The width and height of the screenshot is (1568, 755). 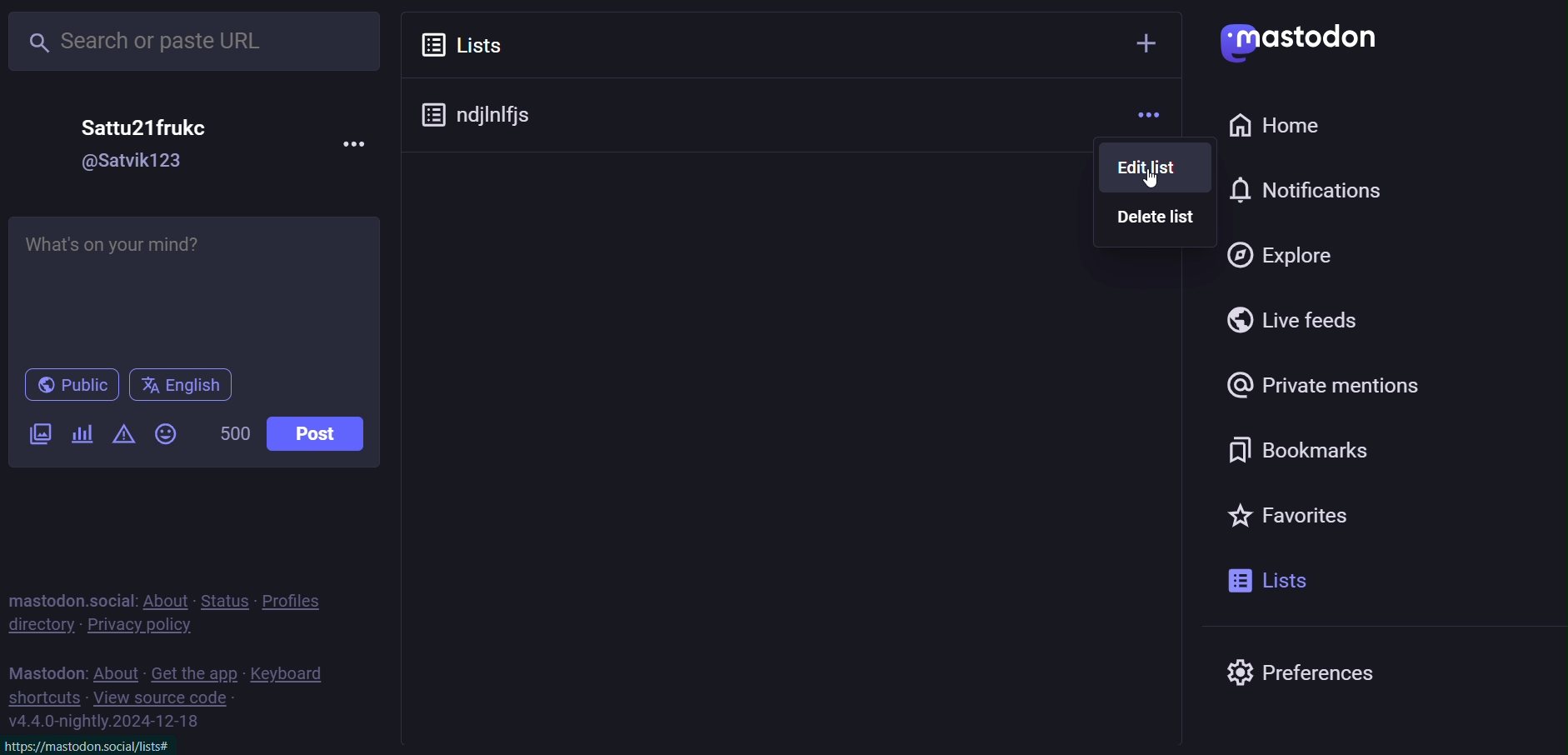 What do you see at coordinates (165, 598) in the screenshot?
I see `about` at bounding box center [165, 598].